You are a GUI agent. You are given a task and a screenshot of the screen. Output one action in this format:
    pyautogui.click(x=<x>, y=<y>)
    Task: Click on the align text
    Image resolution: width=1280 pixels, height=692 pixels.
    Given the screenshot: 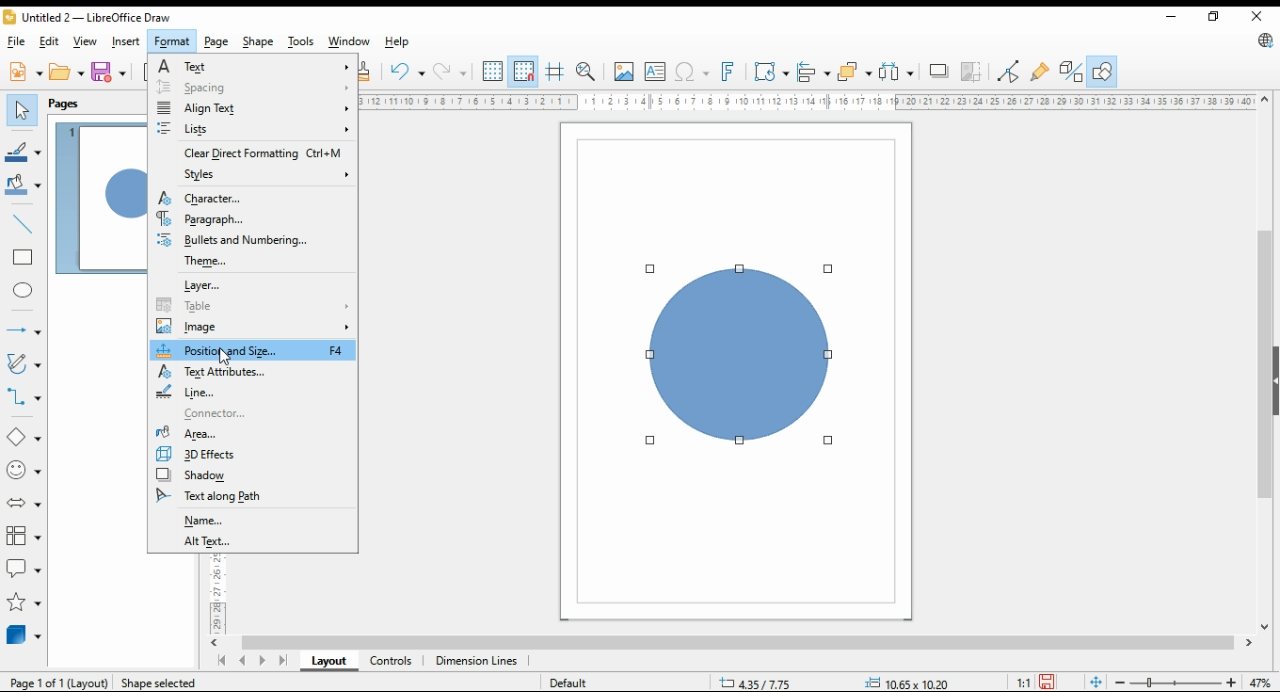 What is the action you would take?
    pyautogui.click(x=253, y=108)
    